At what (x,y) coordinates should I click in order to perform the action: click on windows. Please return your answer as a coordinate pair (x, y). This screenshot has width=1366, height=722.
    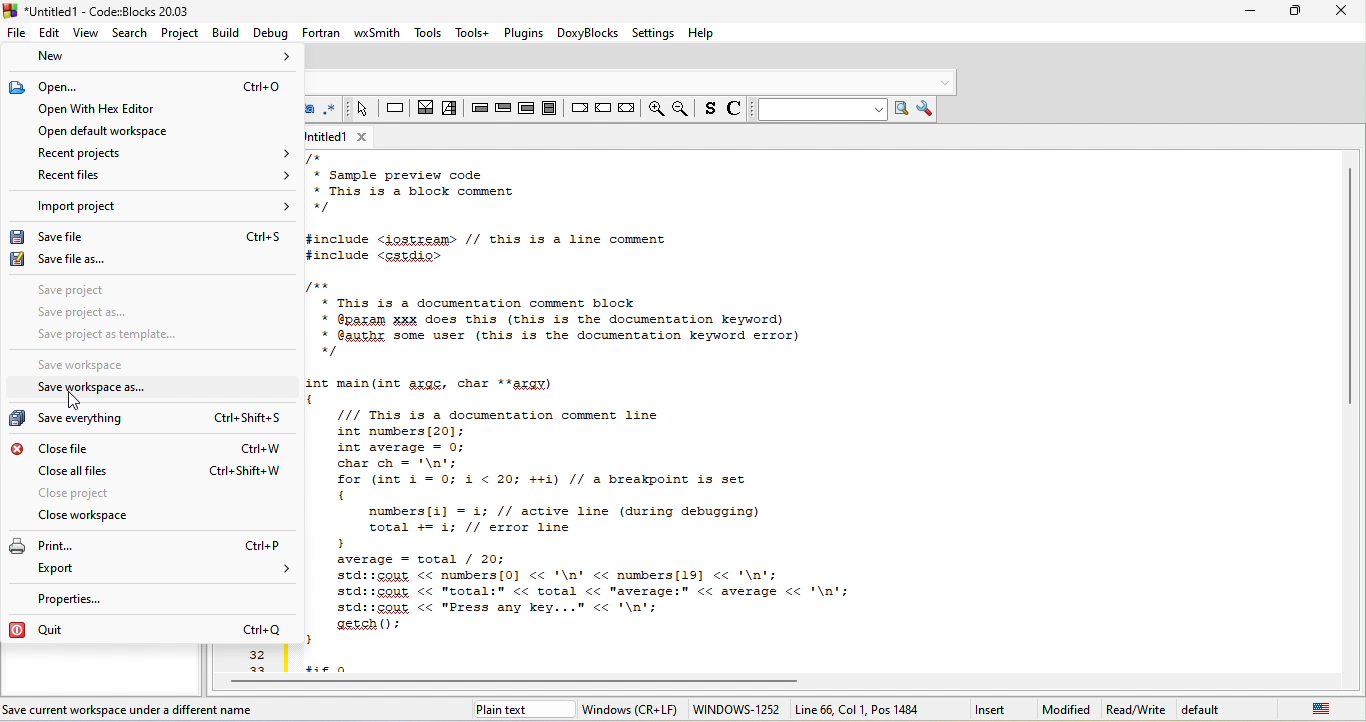
    Looking at the image, I should click on (628, 710).